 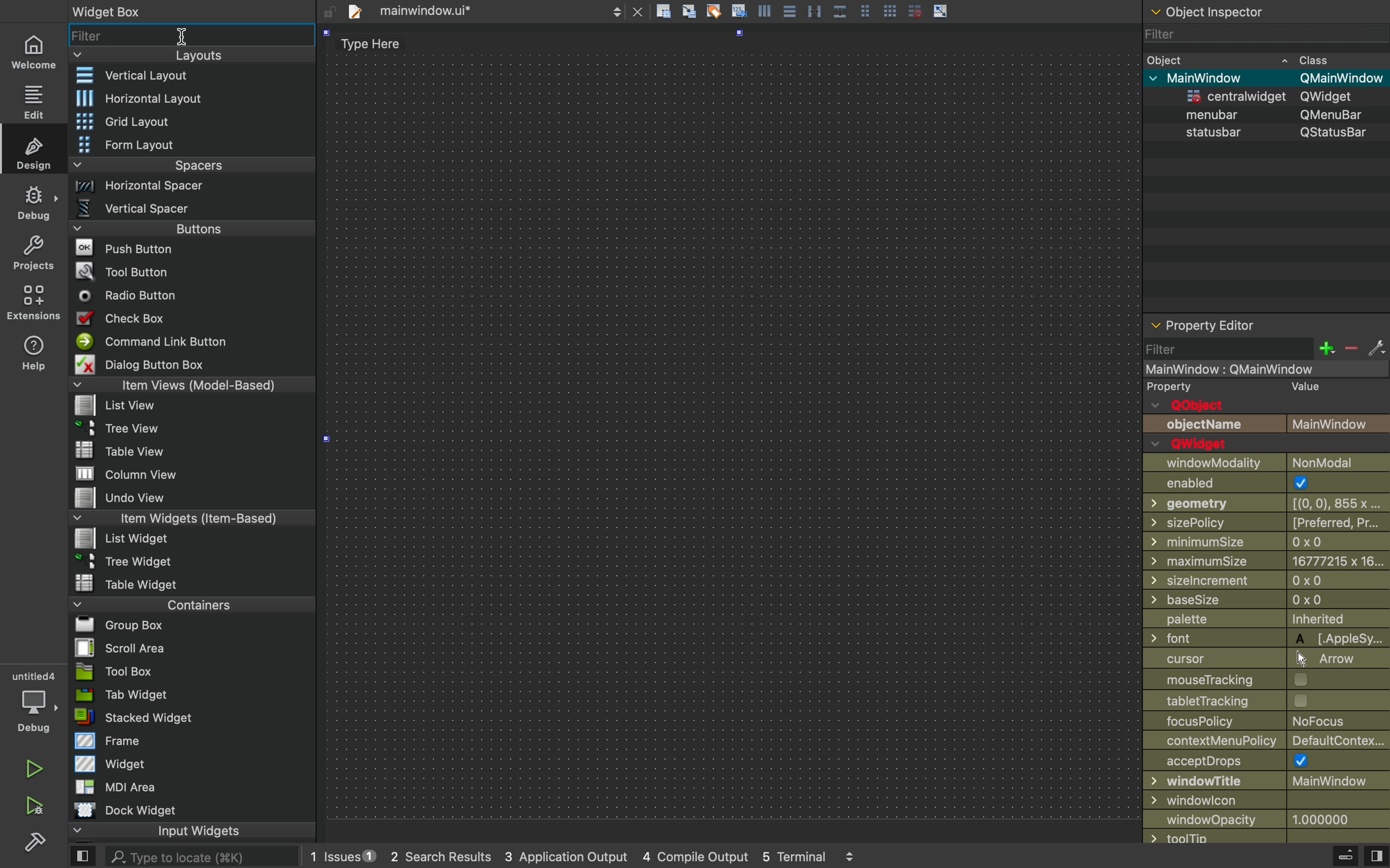 What do you see at coordinates (30, 843) in the screenshot?
I see `settingd` at bounding box center [30, 843].